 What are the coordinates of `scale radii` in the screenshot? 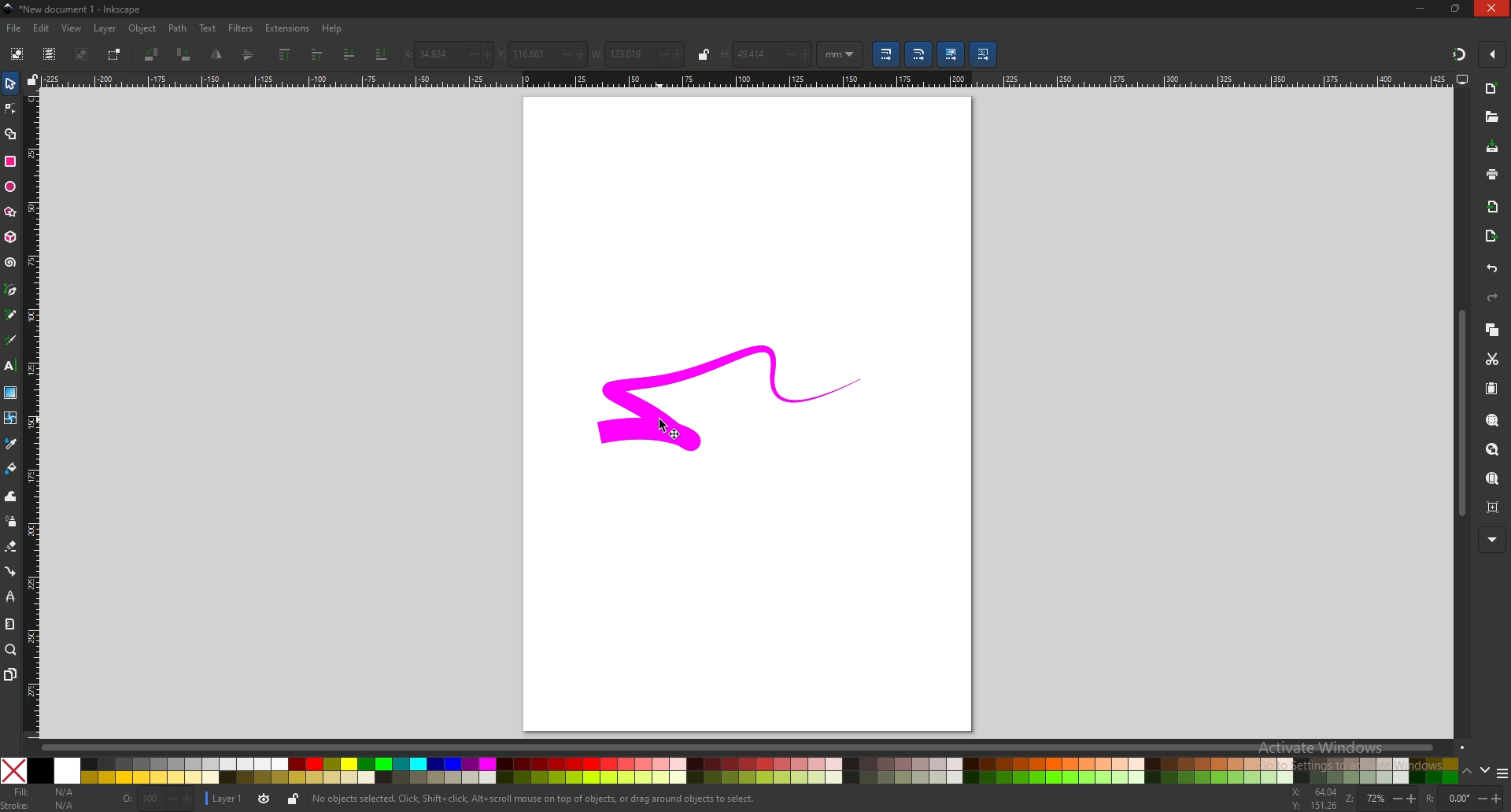 It's located at (919, 54).